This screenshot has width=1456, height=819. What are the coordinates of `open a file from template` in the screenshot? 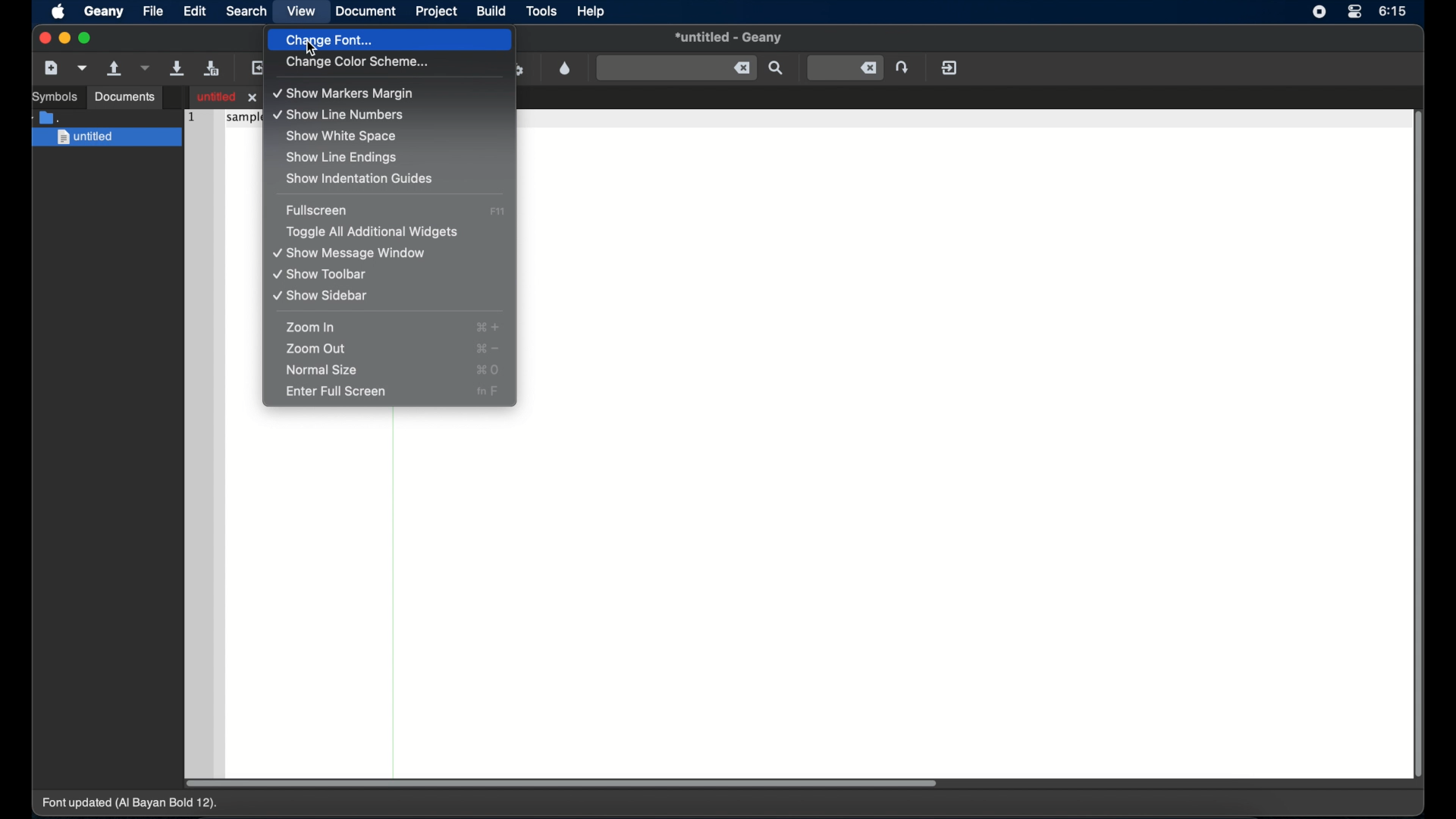 It's located at (84, 67).